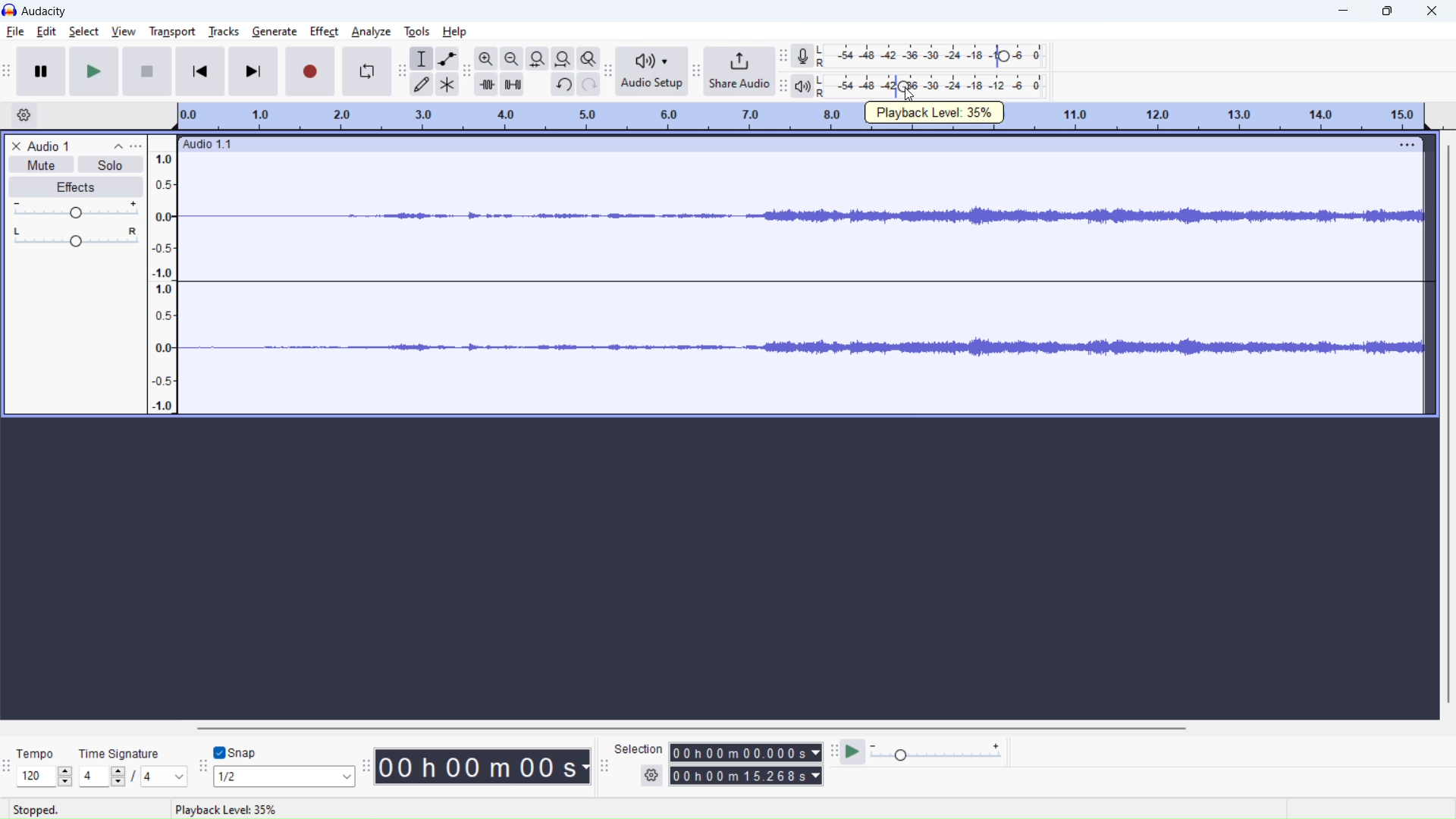 The height and width of the screenshot is (819, 1456). Describe the element at coordinates (697, 71) in the screenshot. I see `share audio toolbar` at that location.